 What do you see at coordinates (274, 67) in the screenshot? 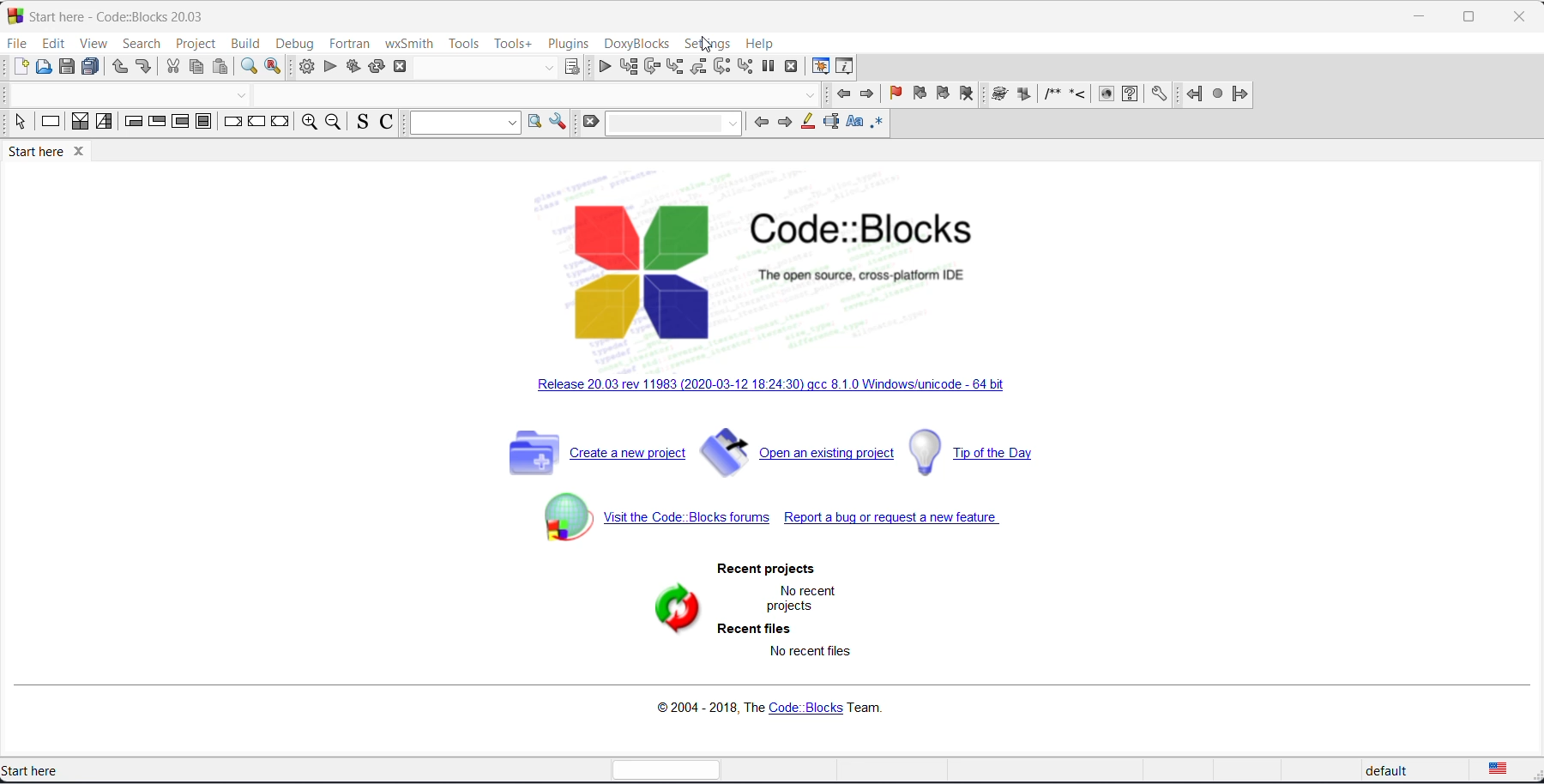
I see `replace` at bounding box center [274, 67].